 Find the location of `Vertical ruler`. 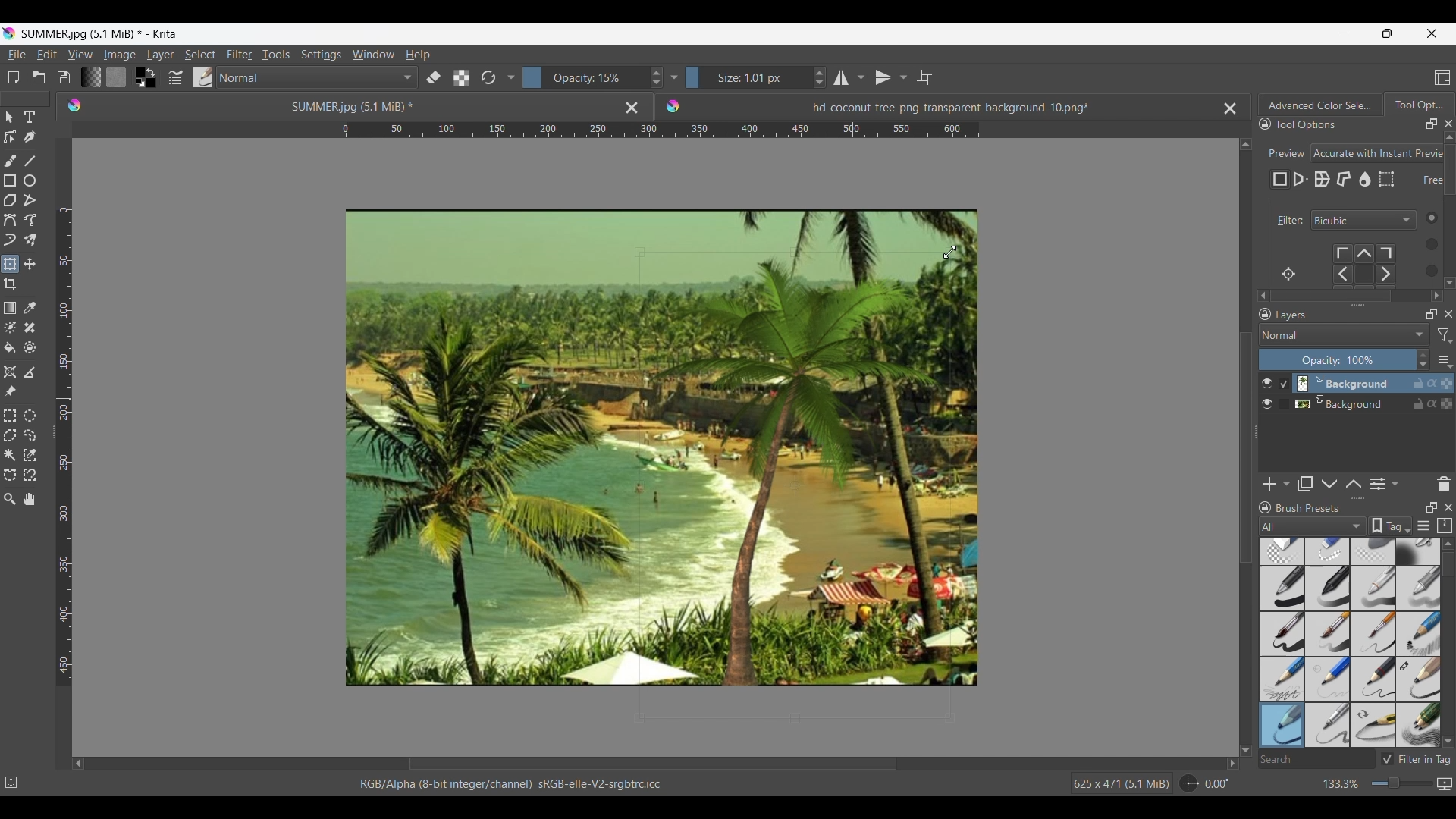

Vertical ruler is located at coordinates (64, 447).